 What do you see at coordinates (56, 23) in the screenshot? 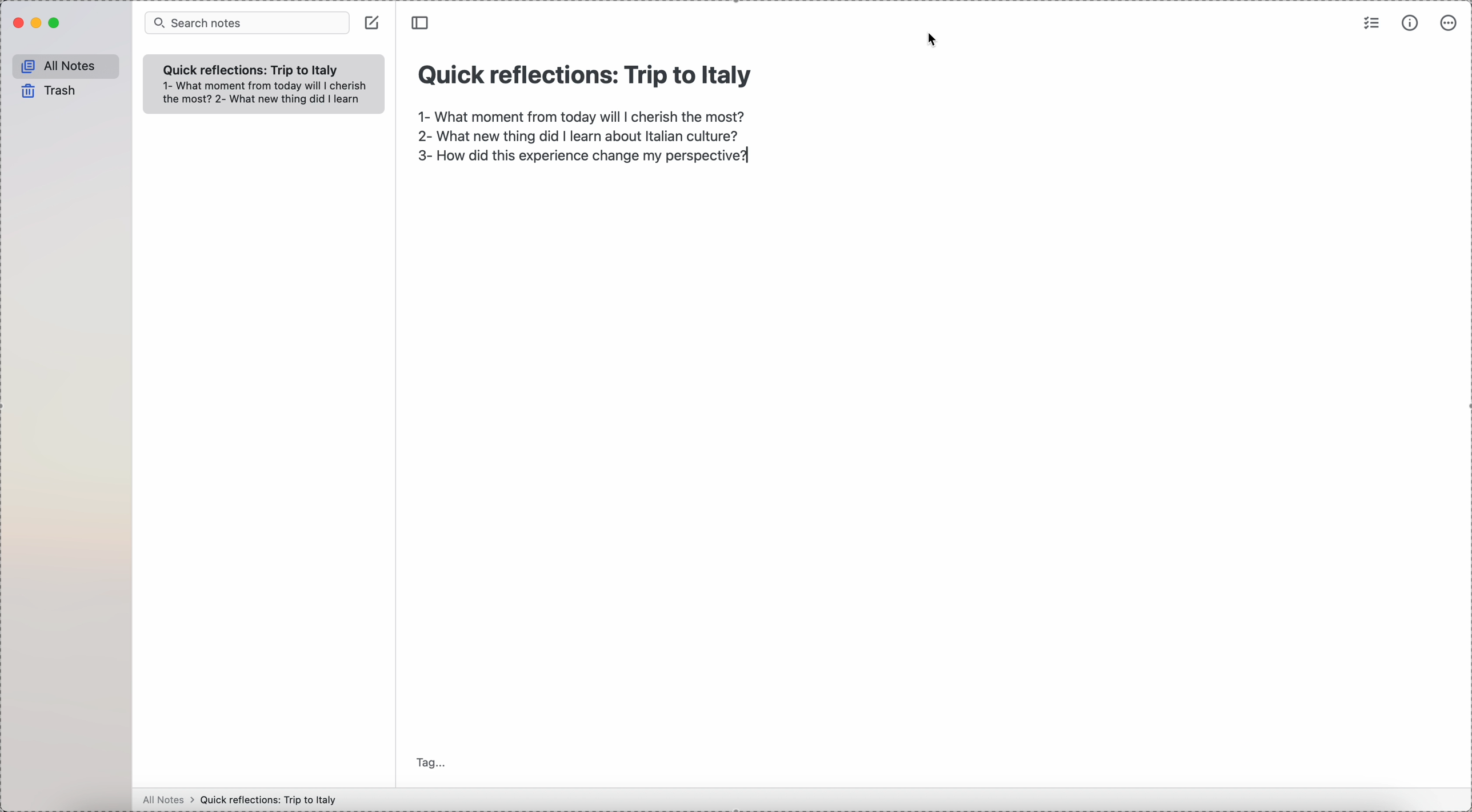
I see `maximize` at bounding box center [56, 23].